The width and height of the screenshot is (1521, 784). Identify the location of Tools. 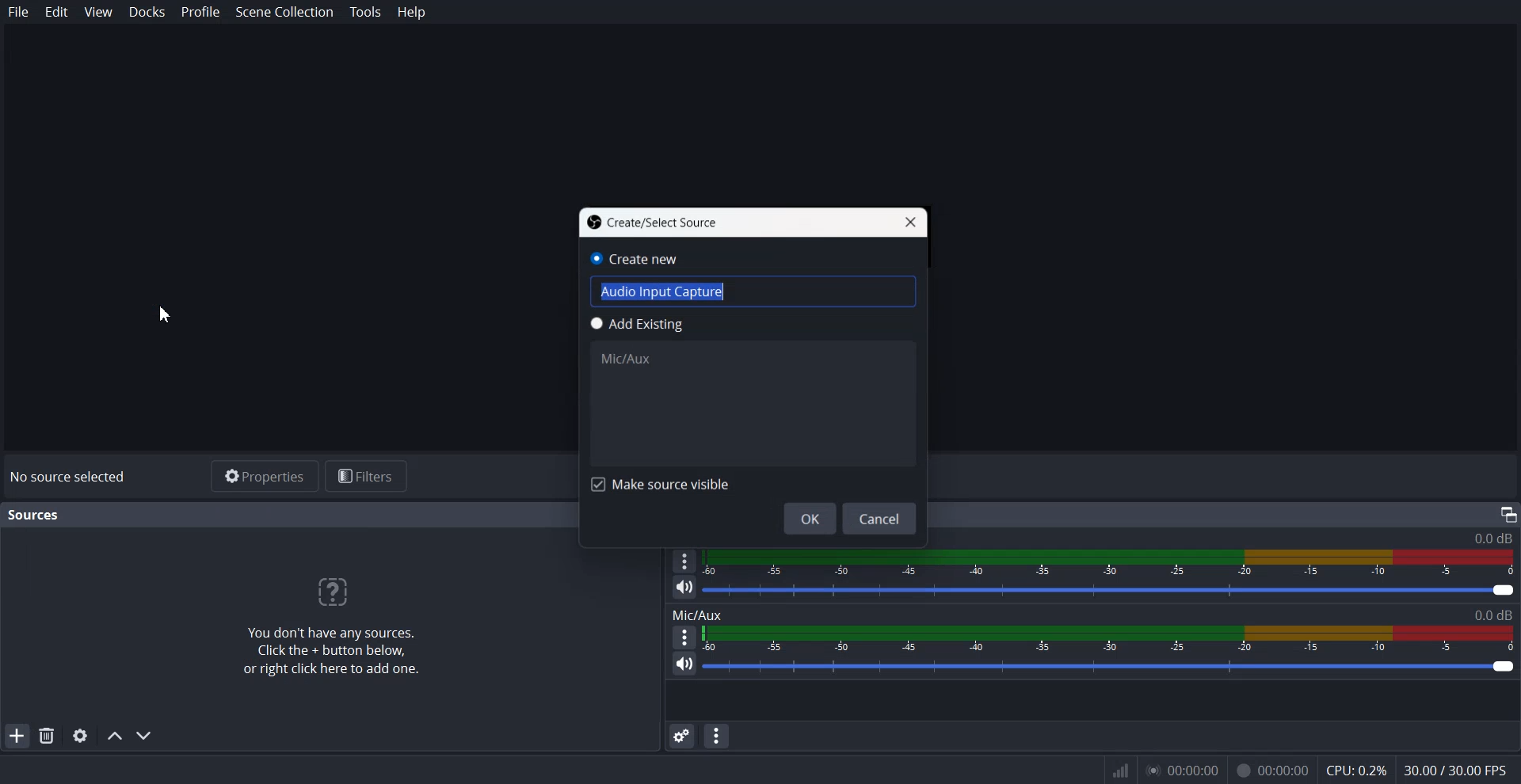
(367, 13).